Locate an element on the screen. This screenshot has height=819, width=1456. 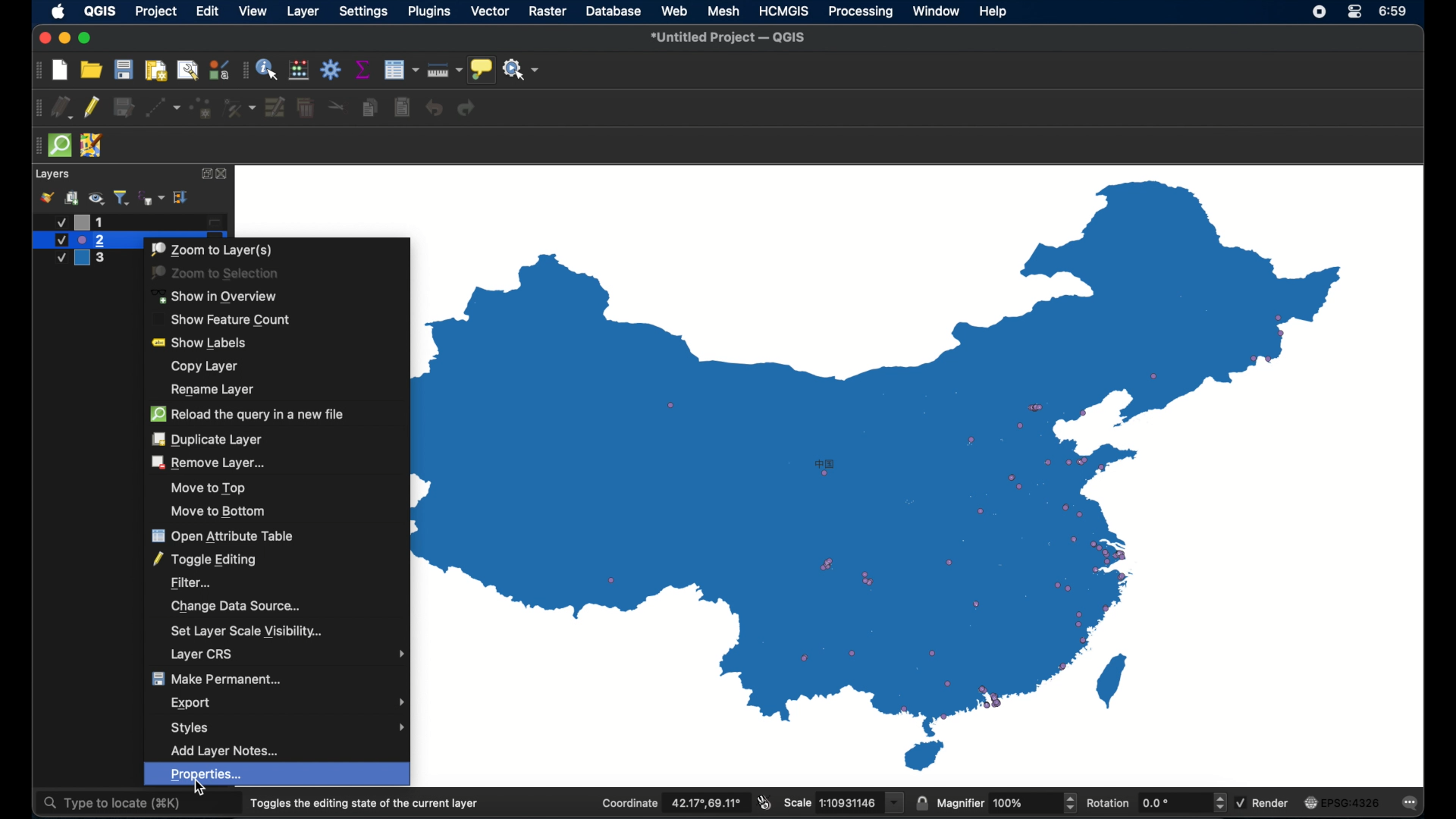
layer 1 is located at coordinates (136, 222).